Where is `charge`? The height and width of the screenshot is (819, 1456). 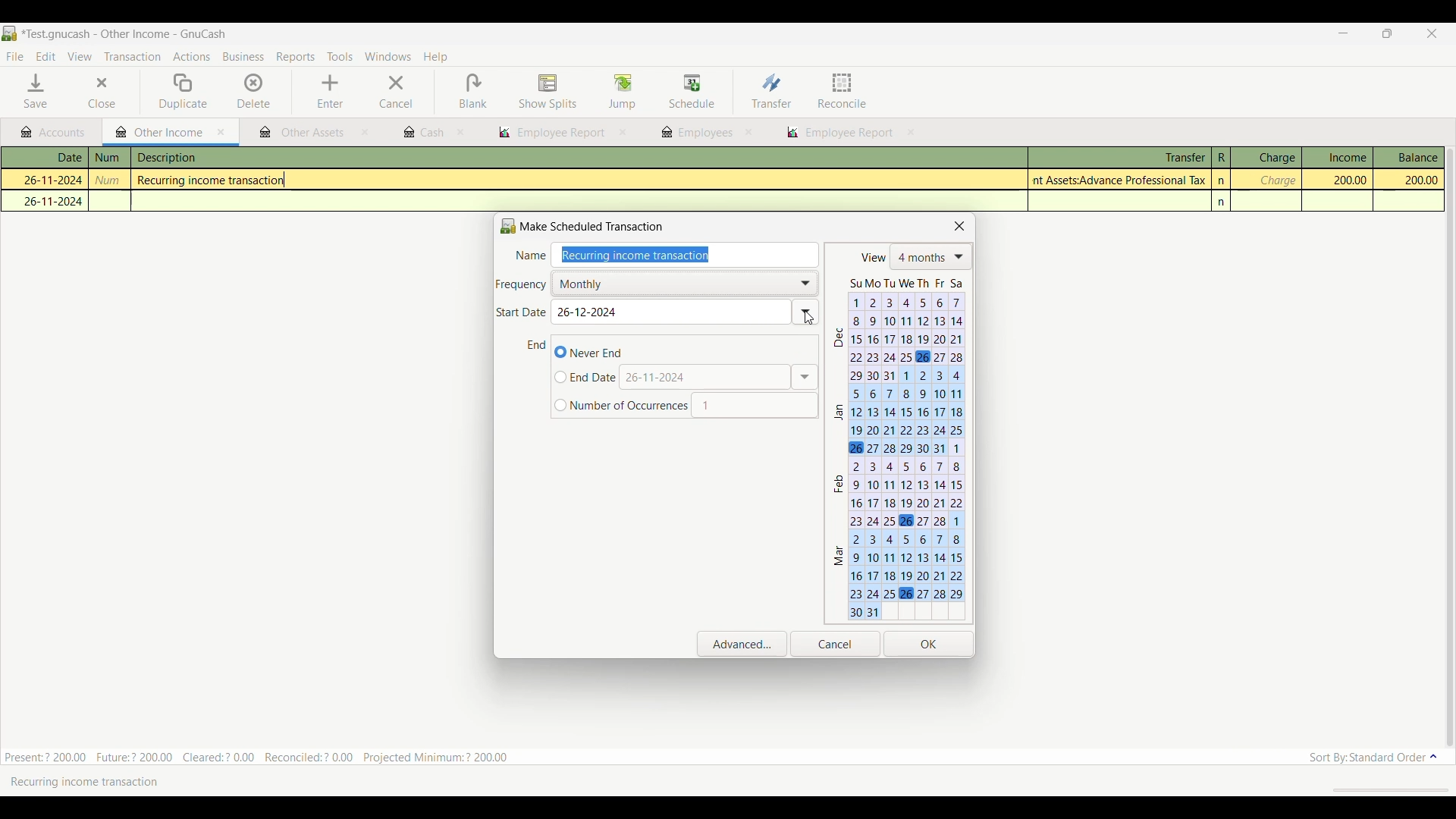
charge is located at coordinates (1276, 180).